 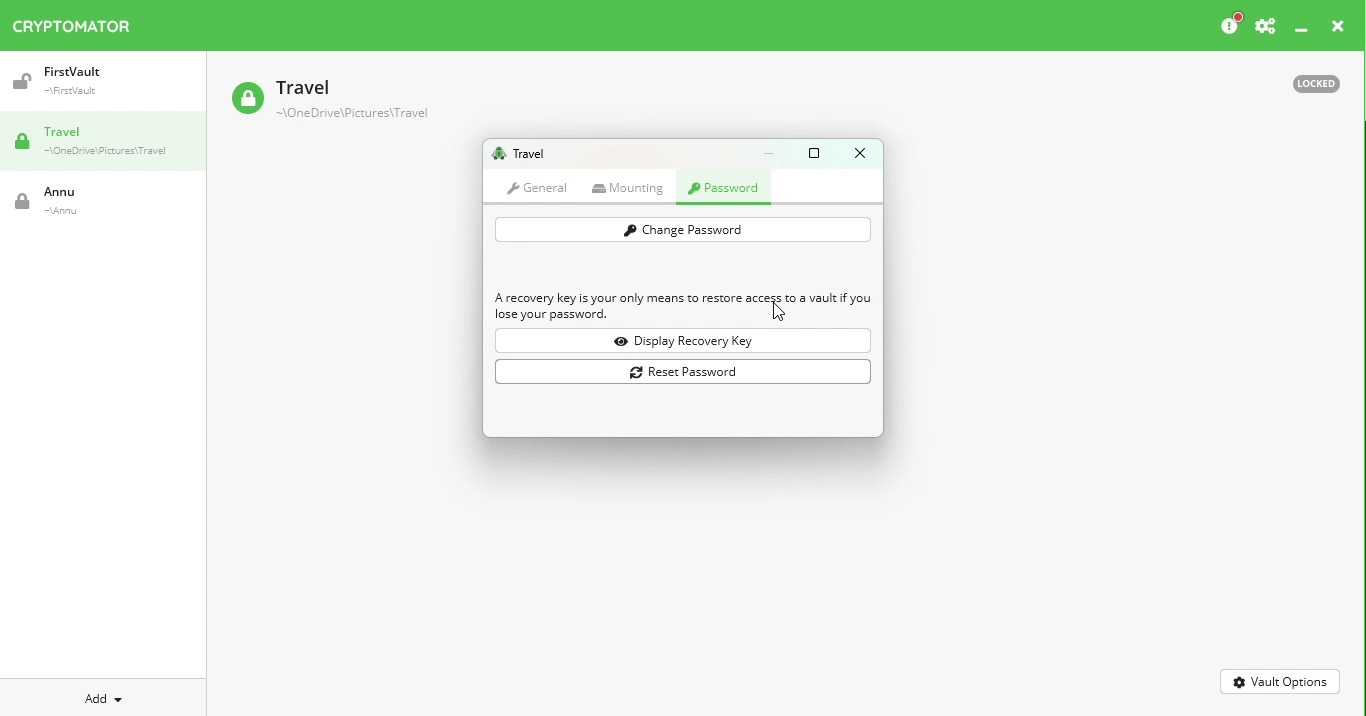 I want to click on Please consider donating, so click(x=1229, y=25).